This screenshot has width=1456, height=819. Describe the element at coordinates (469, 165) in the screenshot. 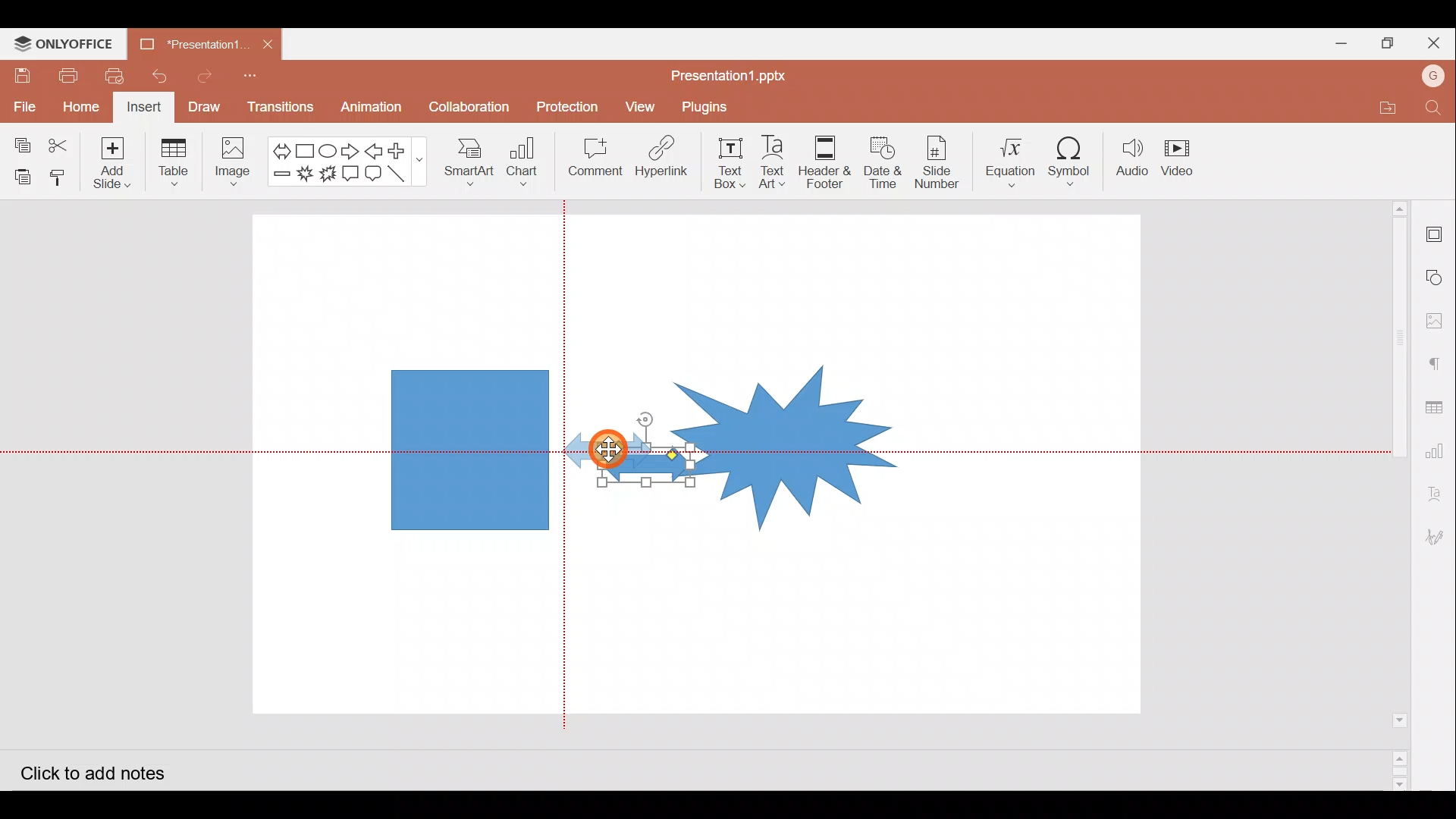

I see `SmartArt` at that location.